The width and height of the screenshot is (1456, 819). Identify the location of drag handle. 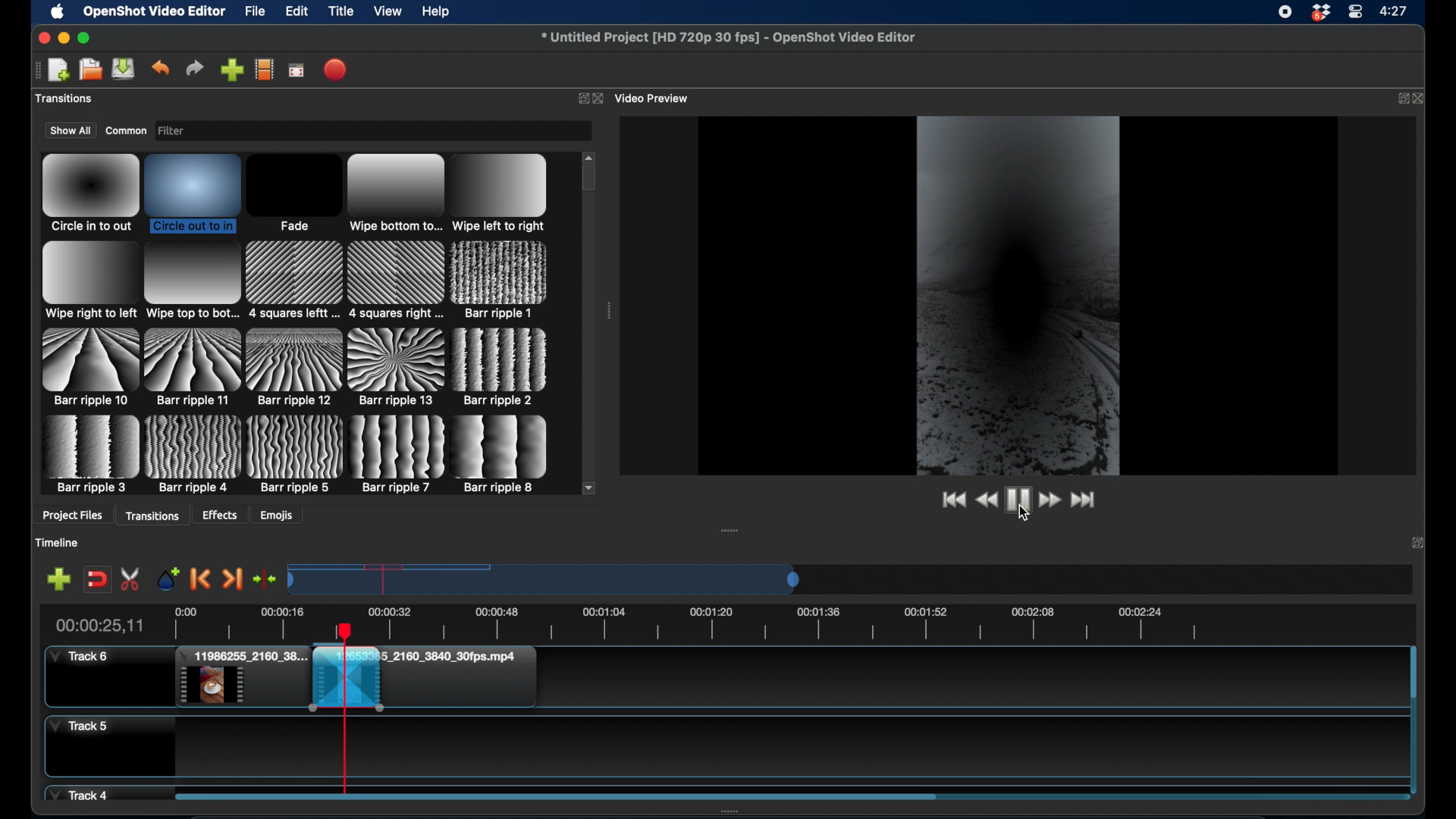
(36, 69).